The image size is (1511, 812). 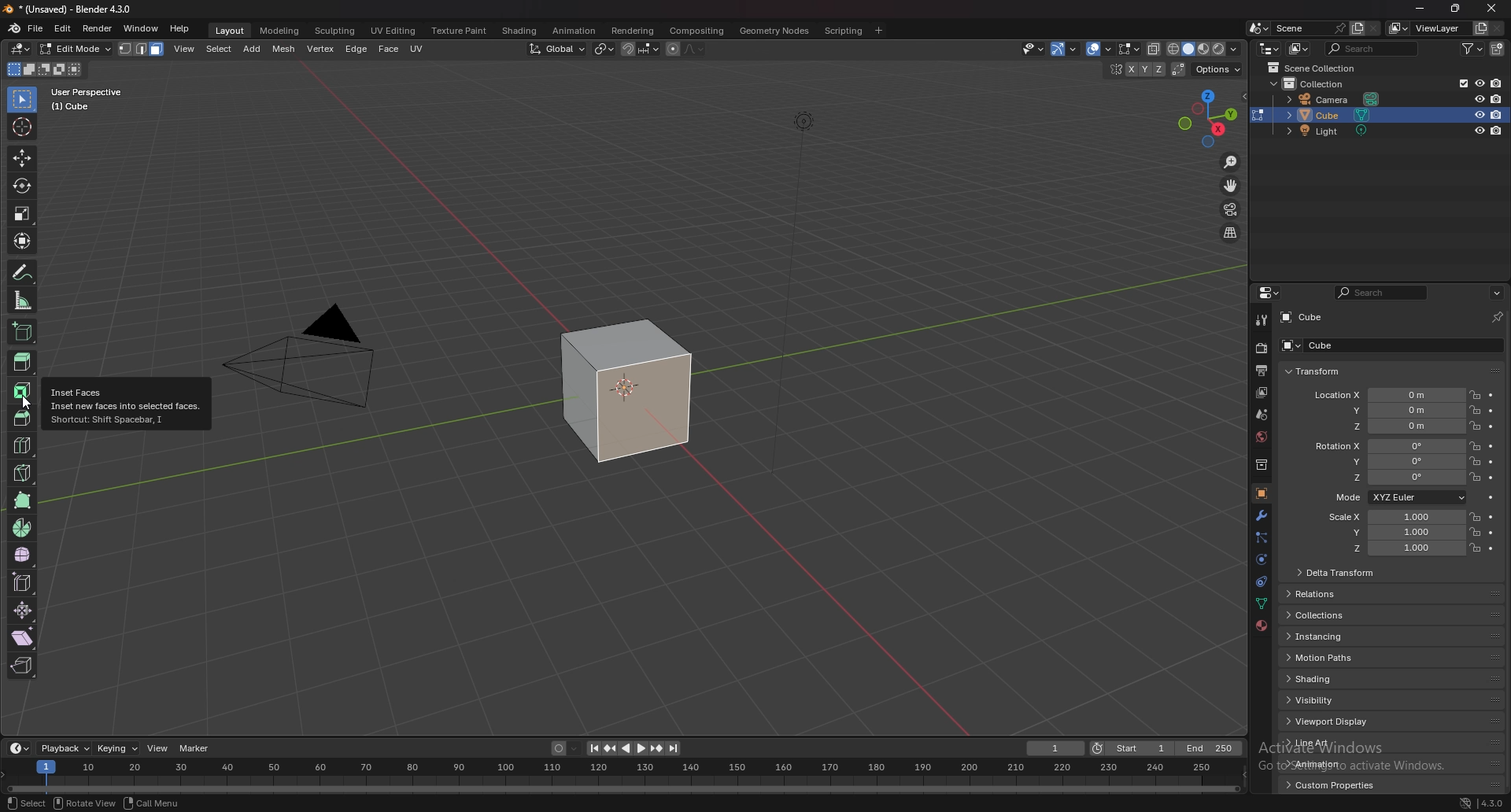 I want to click on selector, so click(x=23, y=98).